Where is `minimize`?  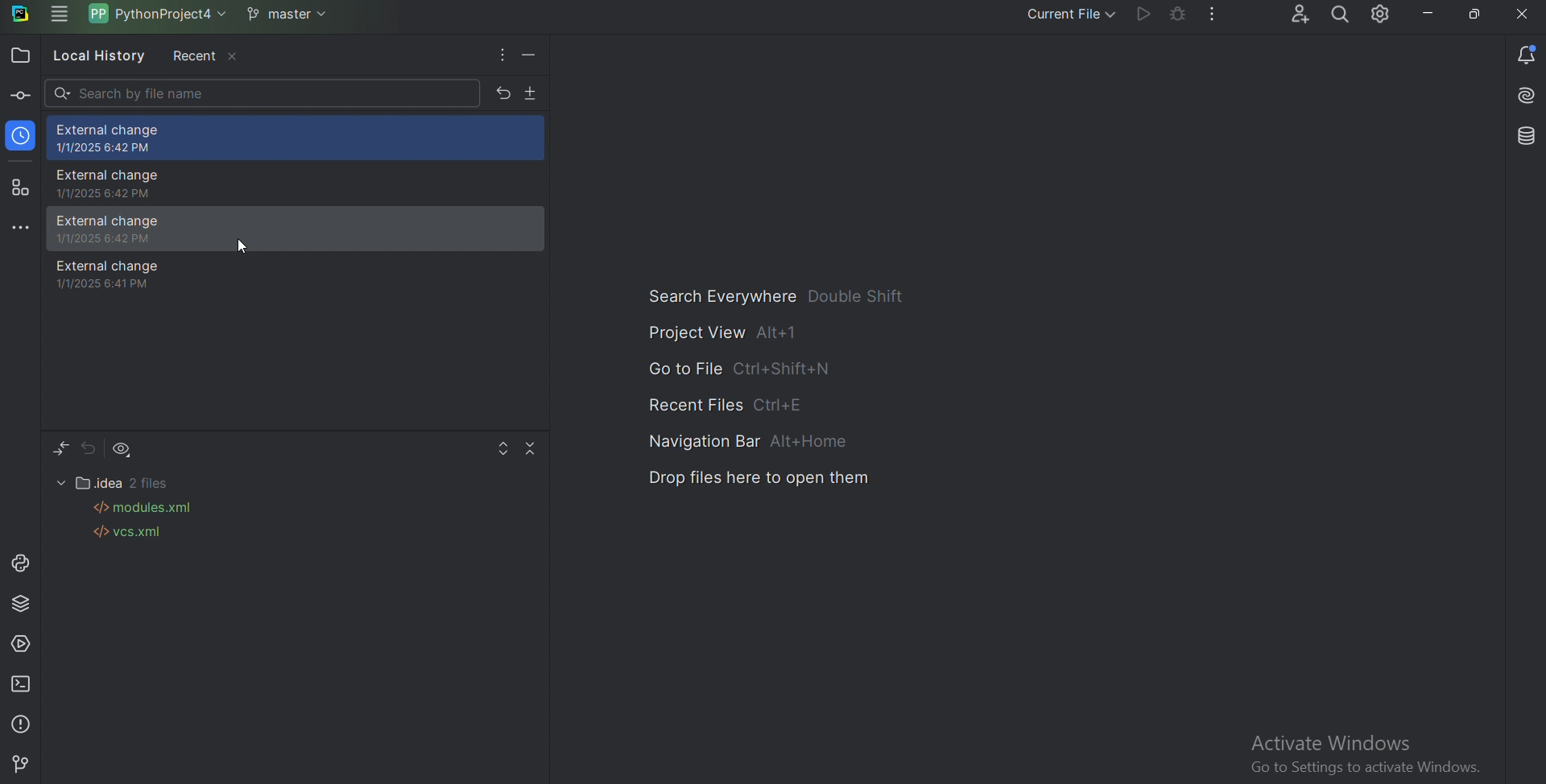
minimize is located at coordinates (1429, 14).